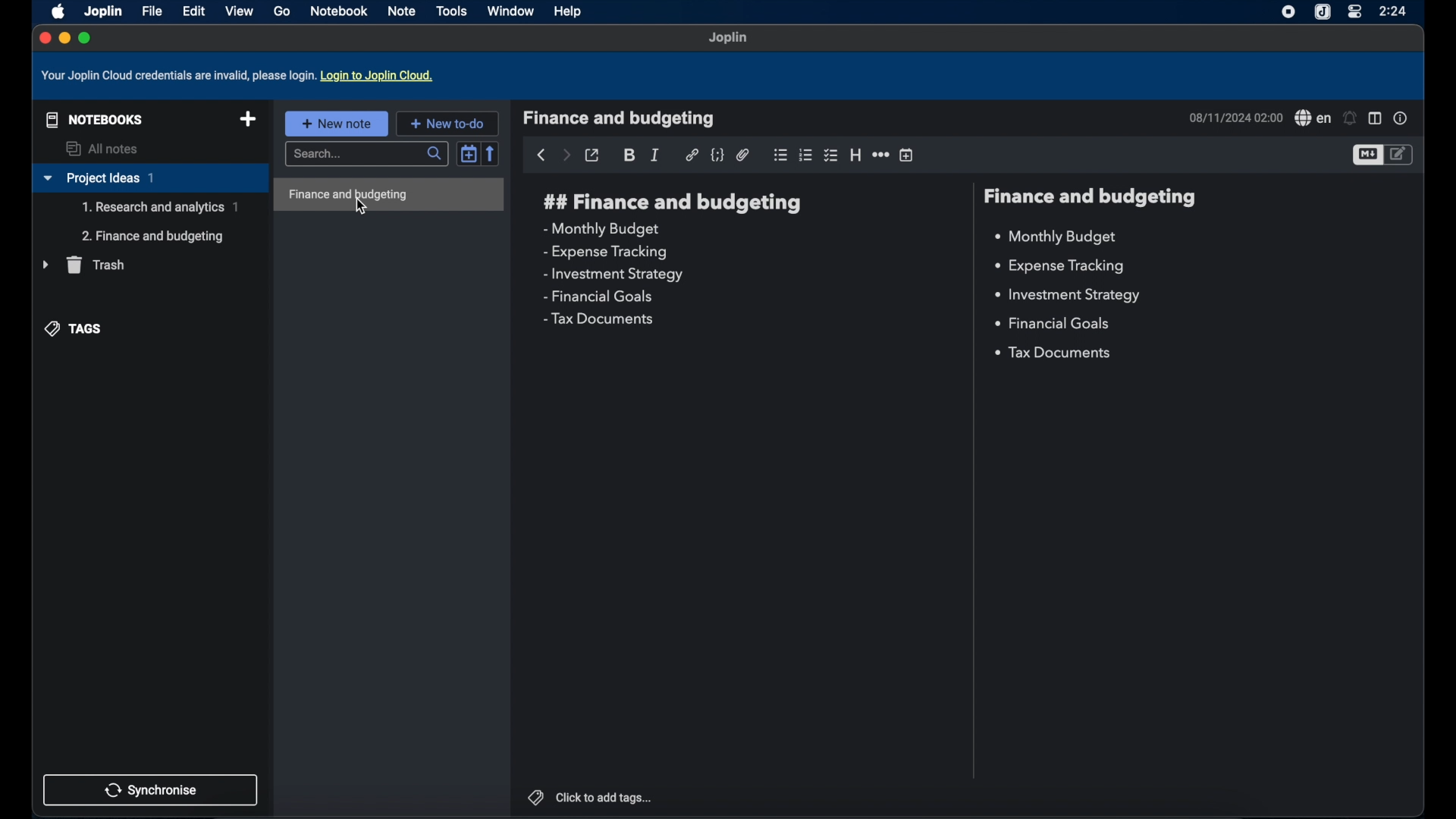 The height and width of the screenshot is (819, 1456). Describe the element at coordinates (452, 11) in the screenshot. I see `tools` at that location.